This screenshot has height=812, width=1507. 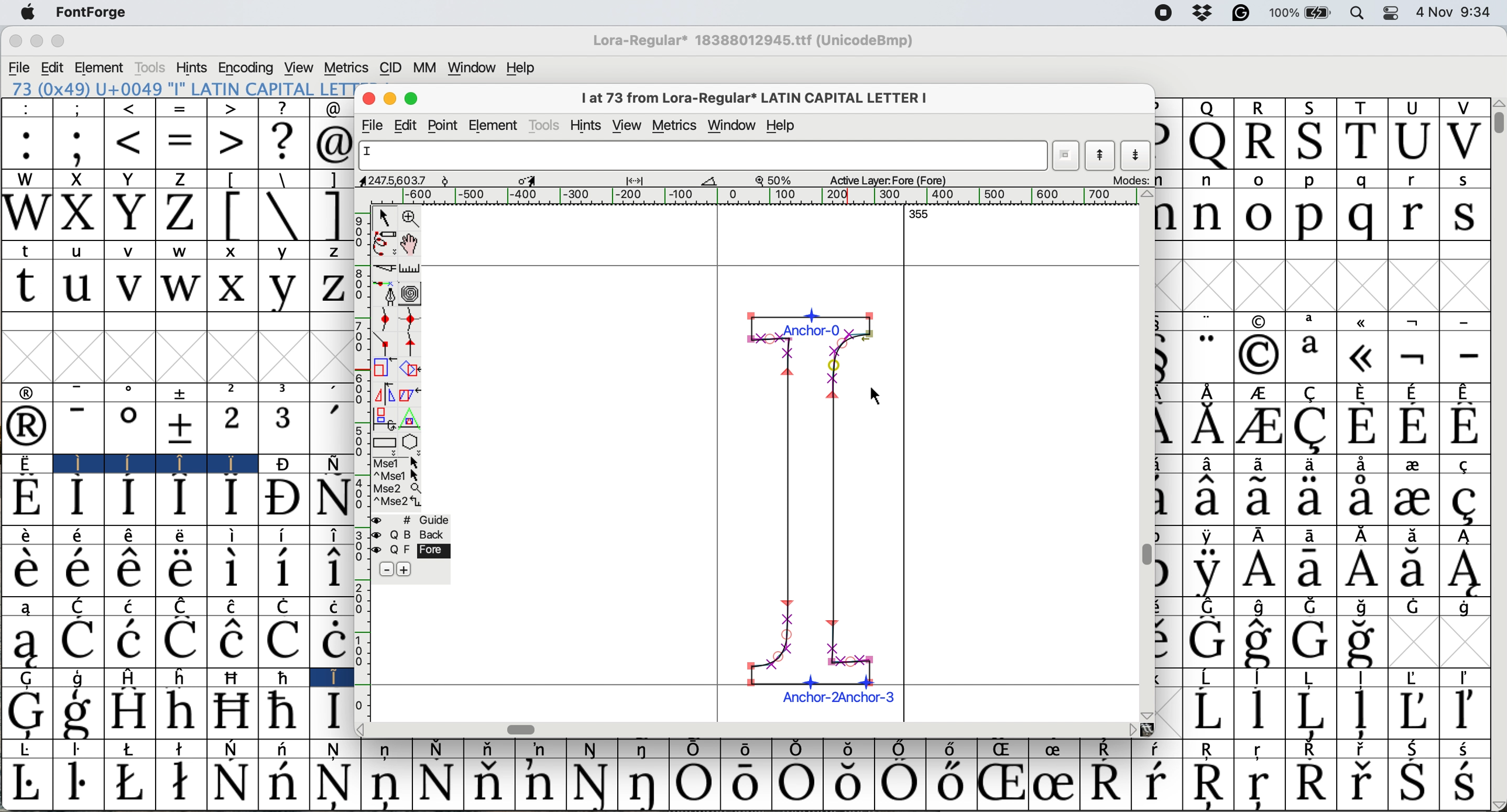 I want to click on Symbol, so click(x=1210, y=605).